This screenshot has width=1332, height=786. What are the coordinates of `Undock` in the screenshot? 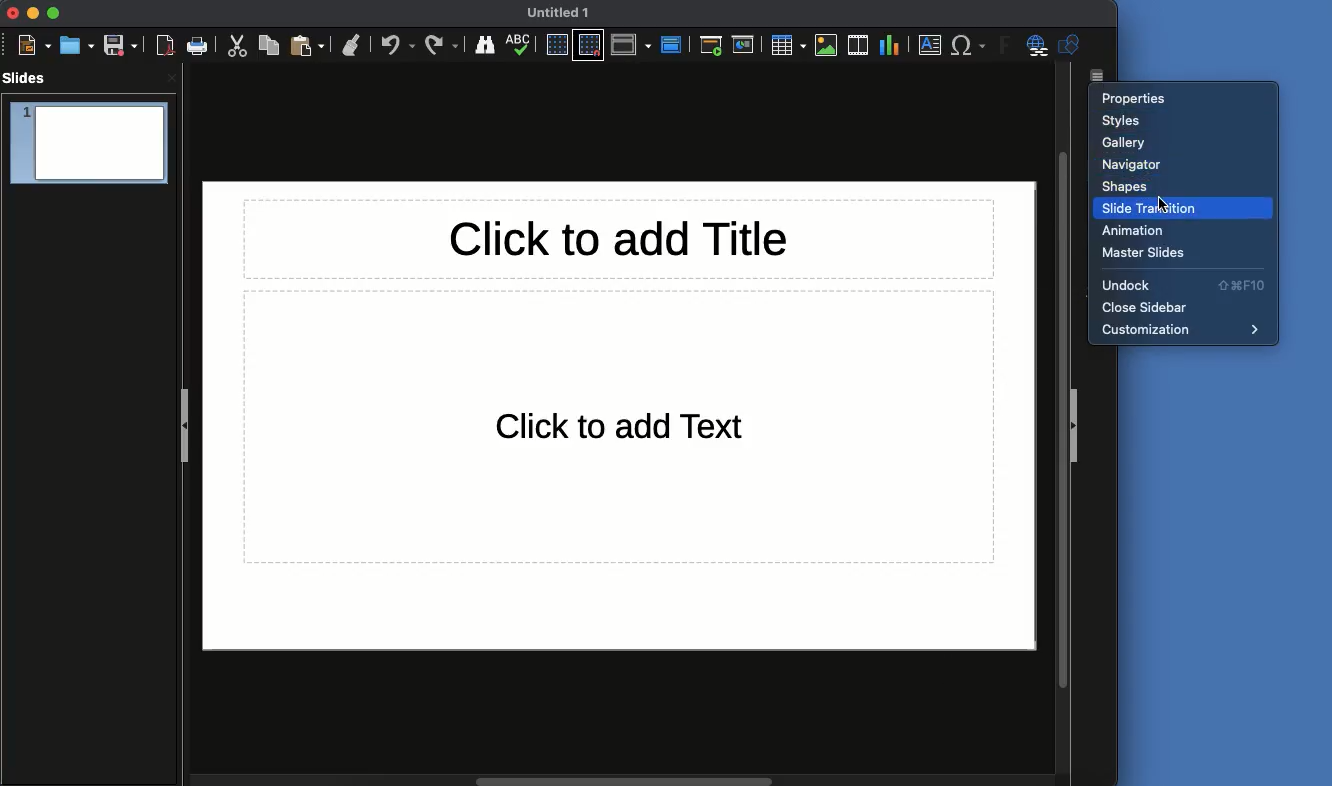 It's located at (1146, 286).